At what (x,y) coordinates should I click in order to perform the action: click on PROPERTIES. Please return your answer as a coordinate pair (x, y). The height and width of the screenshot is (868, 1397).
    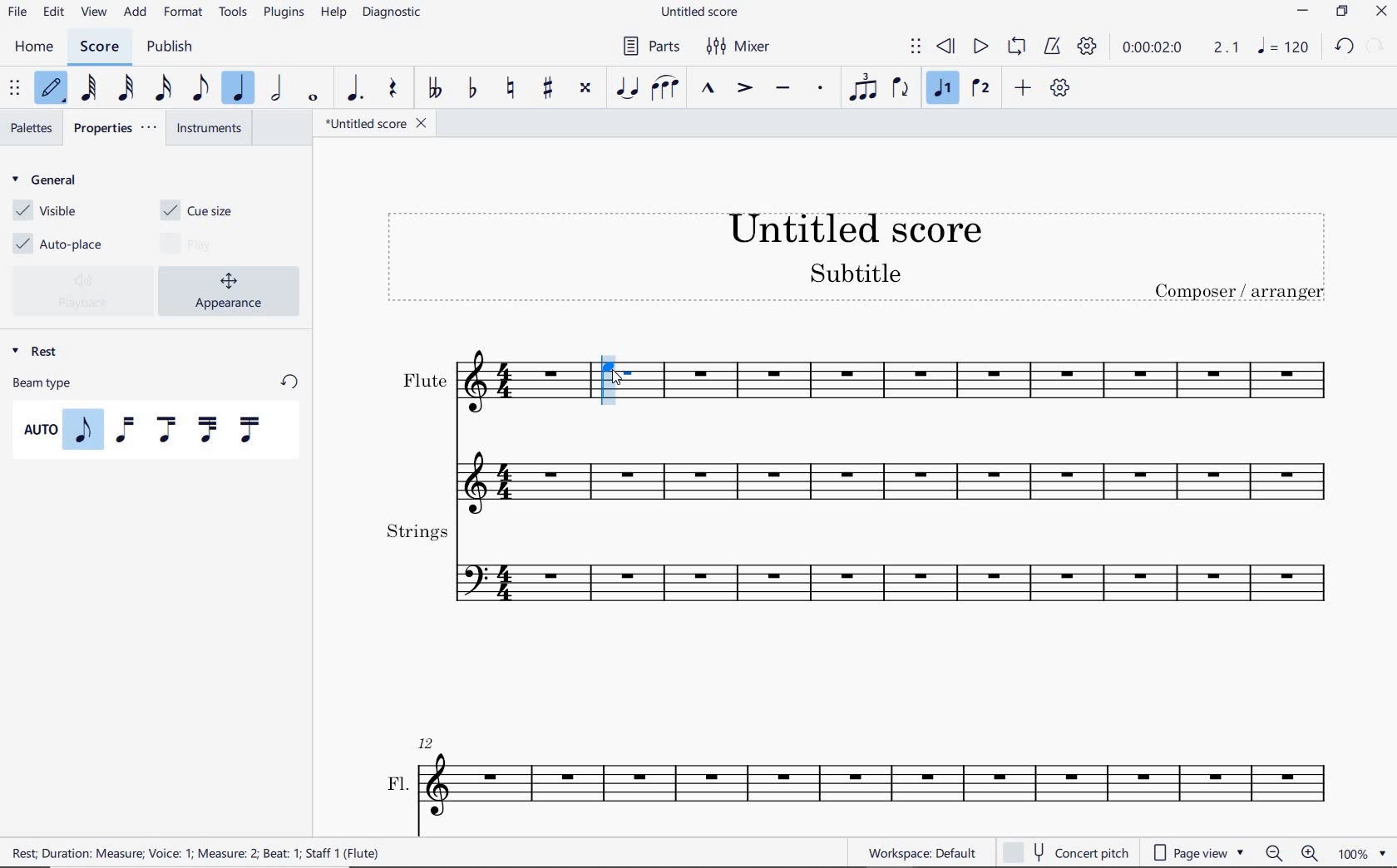
    Looking at the image, I should click on (121, 129).